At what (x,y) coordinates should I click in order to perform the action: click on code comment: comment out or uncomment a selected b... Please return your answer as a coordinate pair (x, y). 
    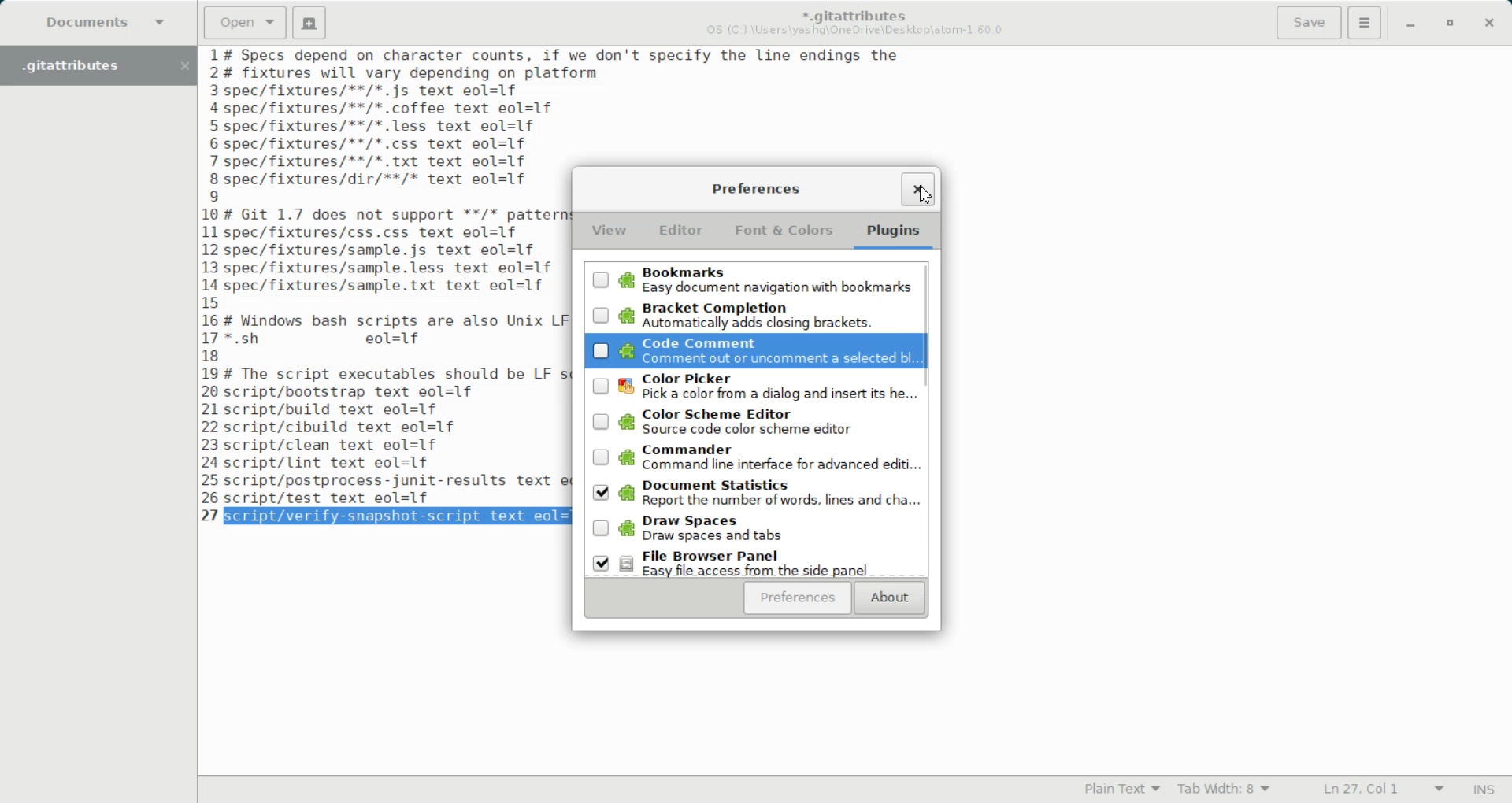
    Looking at the image, I should click on (750, 353).